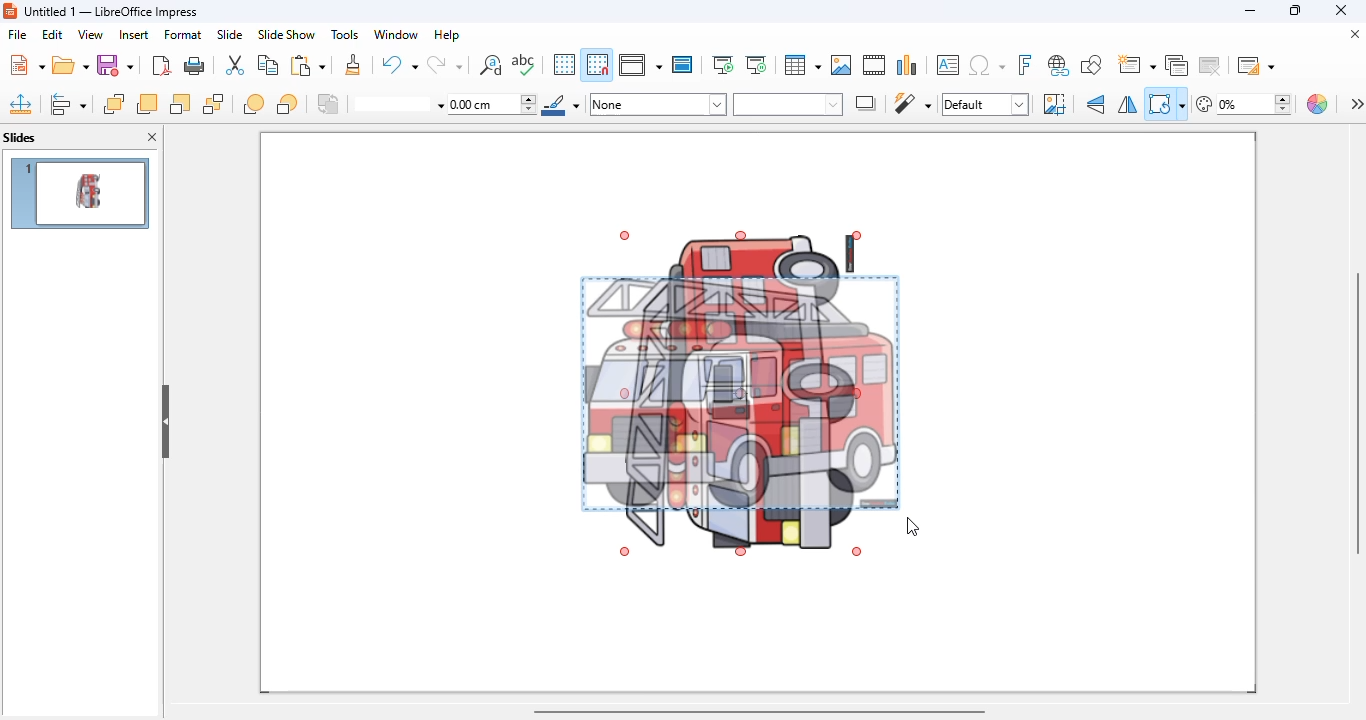 This screenshot has width=1366, height=720. Describe the element at coordinates (1177, 65) in the screenshot. I see `duplicate slide` at that location.